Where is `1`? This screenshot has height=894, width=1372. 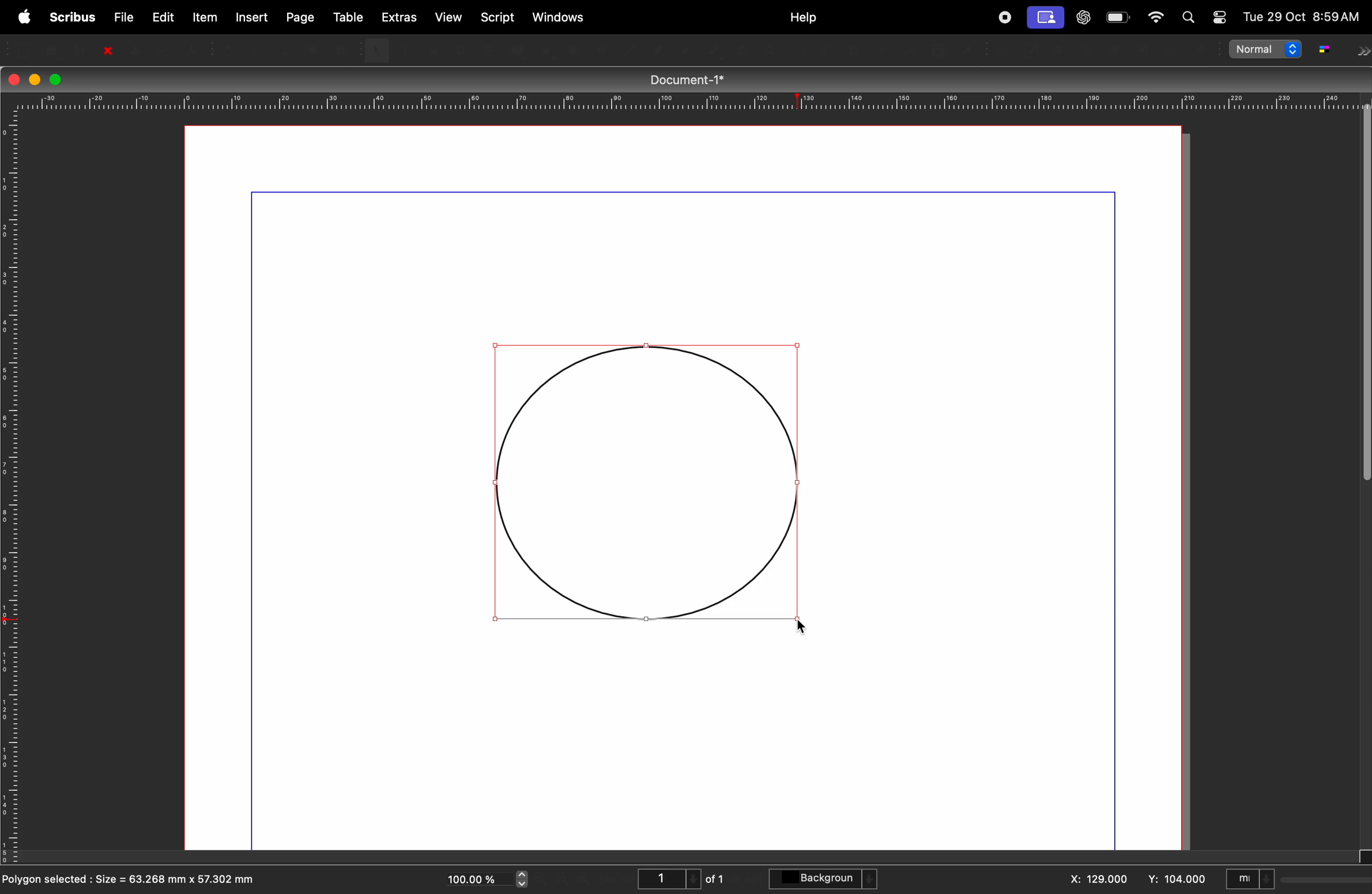
1 is located at coordinates (666, 877).